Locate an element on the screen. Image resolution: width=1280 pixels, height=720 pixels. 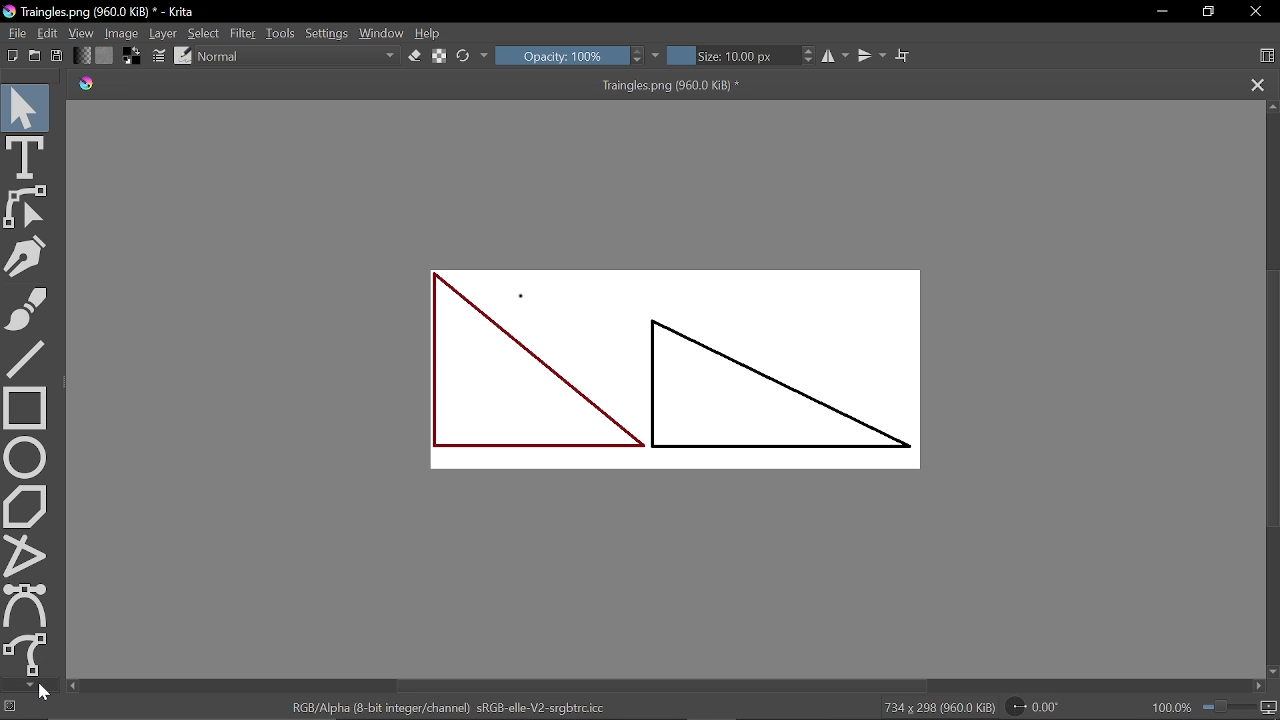
Normal is located at coordinates (298, 56).